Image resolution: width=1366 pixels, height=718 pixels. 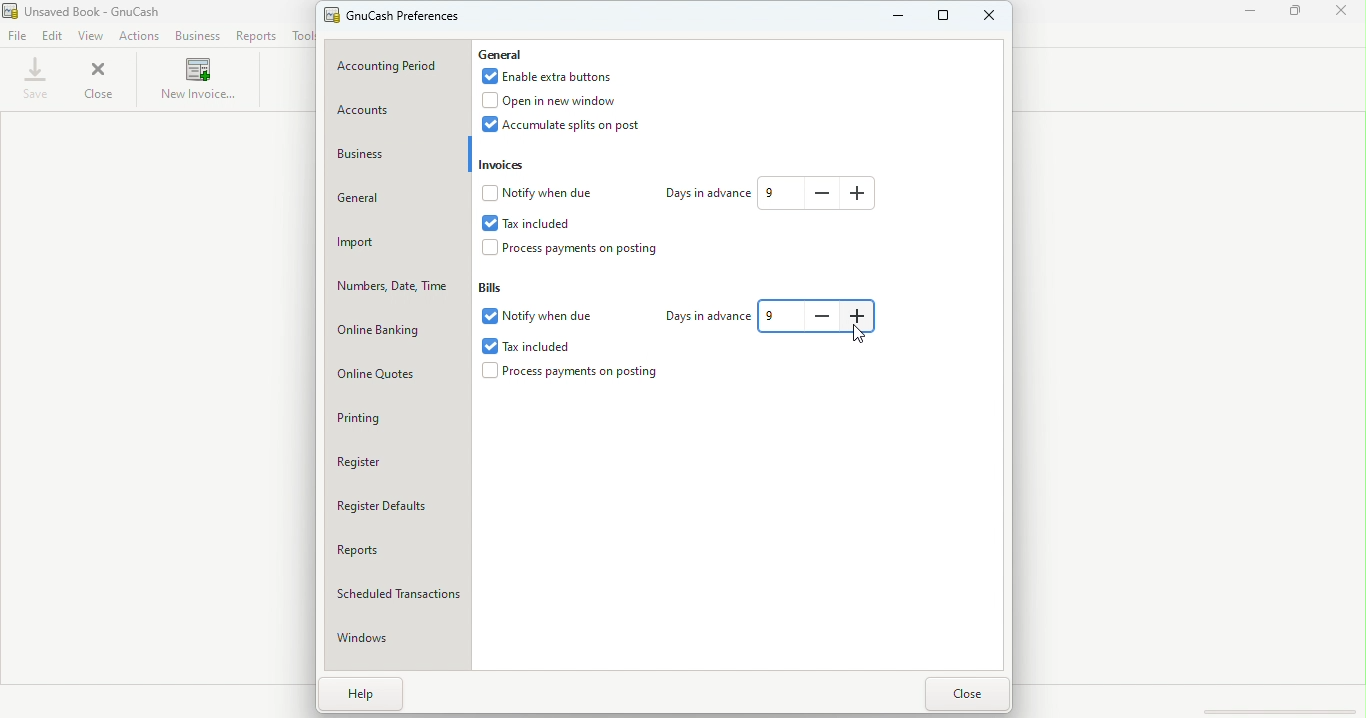 What do you see at coordinates (898, 19) in the screenshot?
I see `Minimize` at bounding box center [898, 19].